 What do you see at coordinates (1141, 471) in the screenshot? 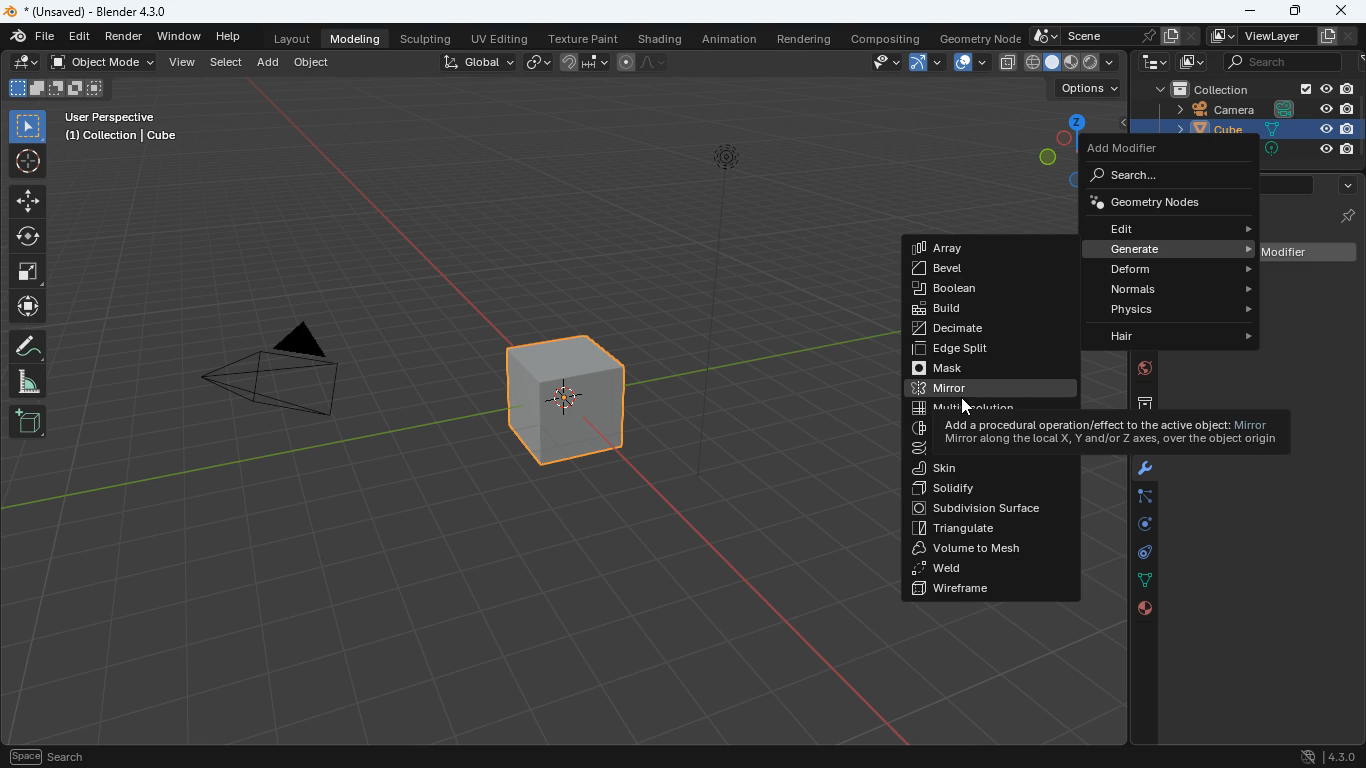
I see `modifiers` at bounding box center [1141, 471].